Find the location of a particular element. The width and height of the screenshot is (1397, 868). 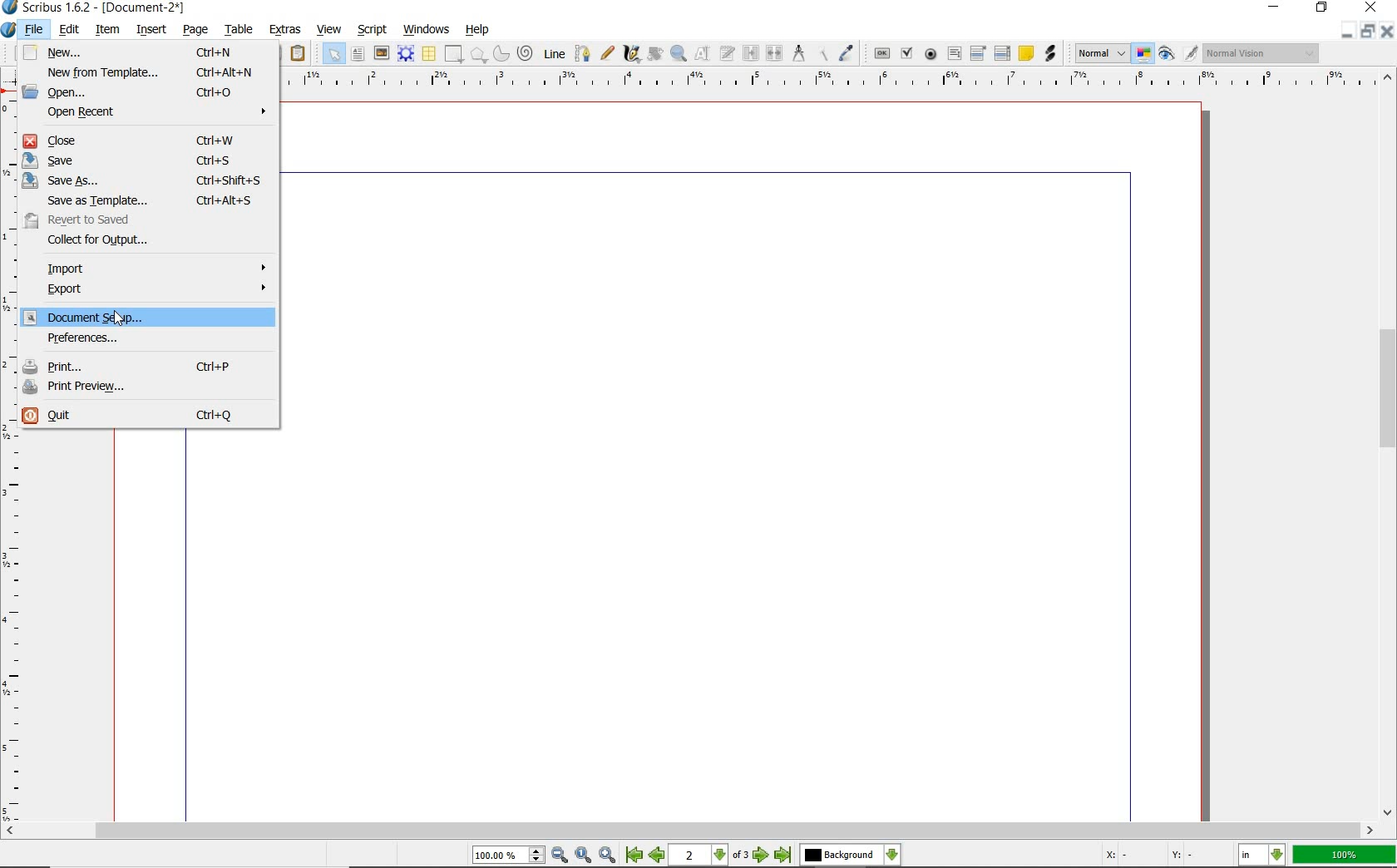

item is located at coordinates (107, 30).